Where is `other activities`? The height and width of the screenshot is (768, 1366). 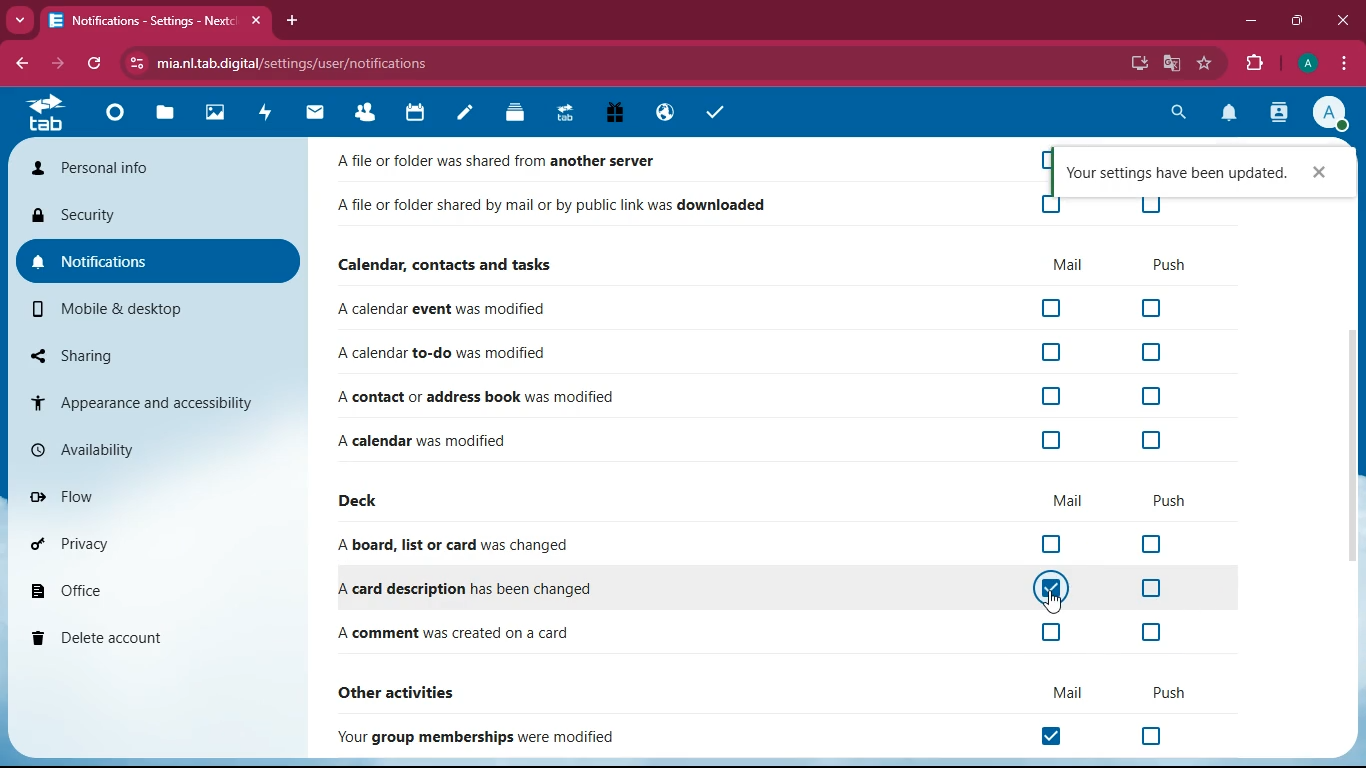 other activities is located at coordinates (410, 690).